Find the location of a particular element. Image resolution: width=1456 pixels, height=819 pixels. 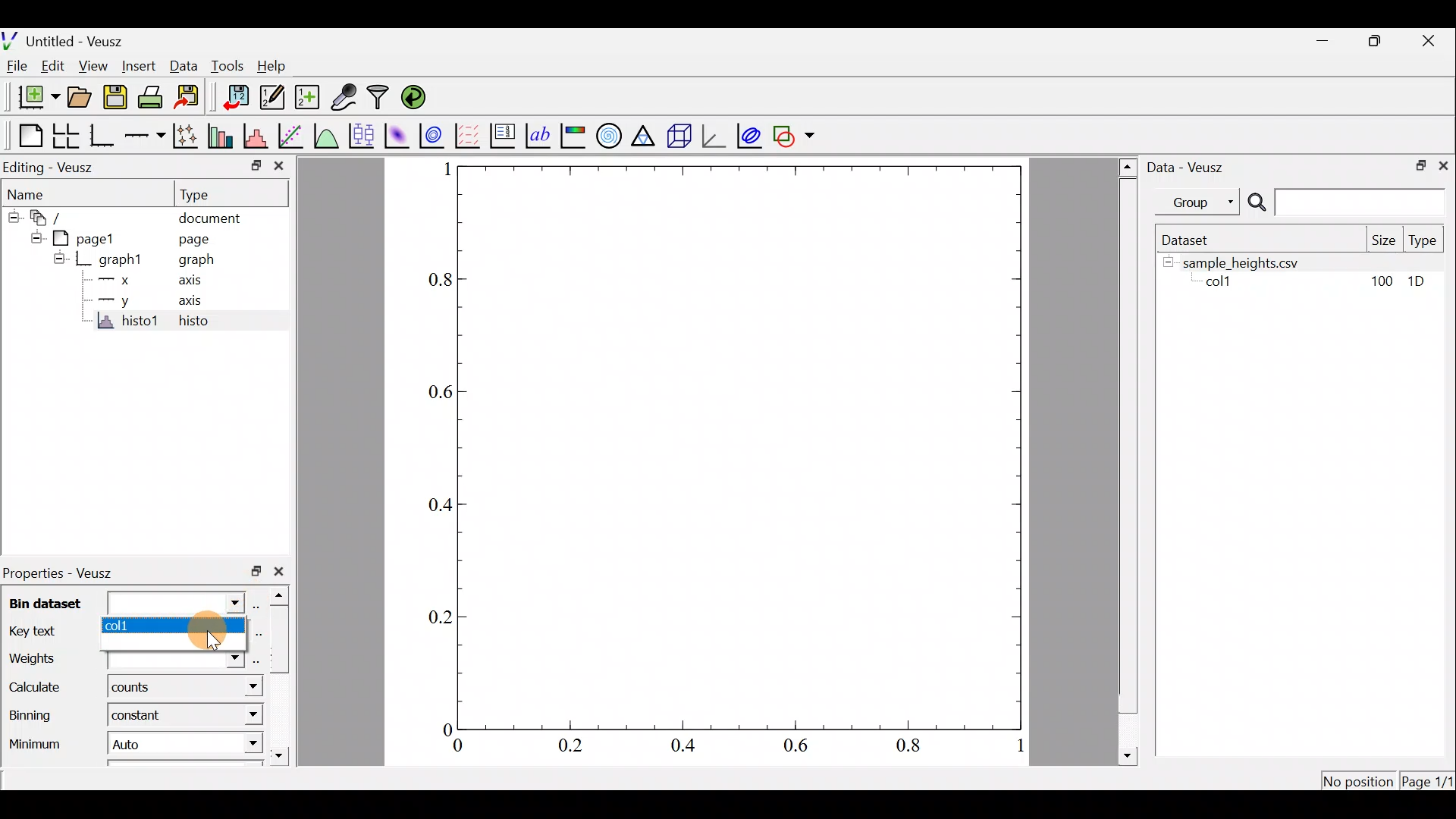

x is located at coordinates (124, 281).